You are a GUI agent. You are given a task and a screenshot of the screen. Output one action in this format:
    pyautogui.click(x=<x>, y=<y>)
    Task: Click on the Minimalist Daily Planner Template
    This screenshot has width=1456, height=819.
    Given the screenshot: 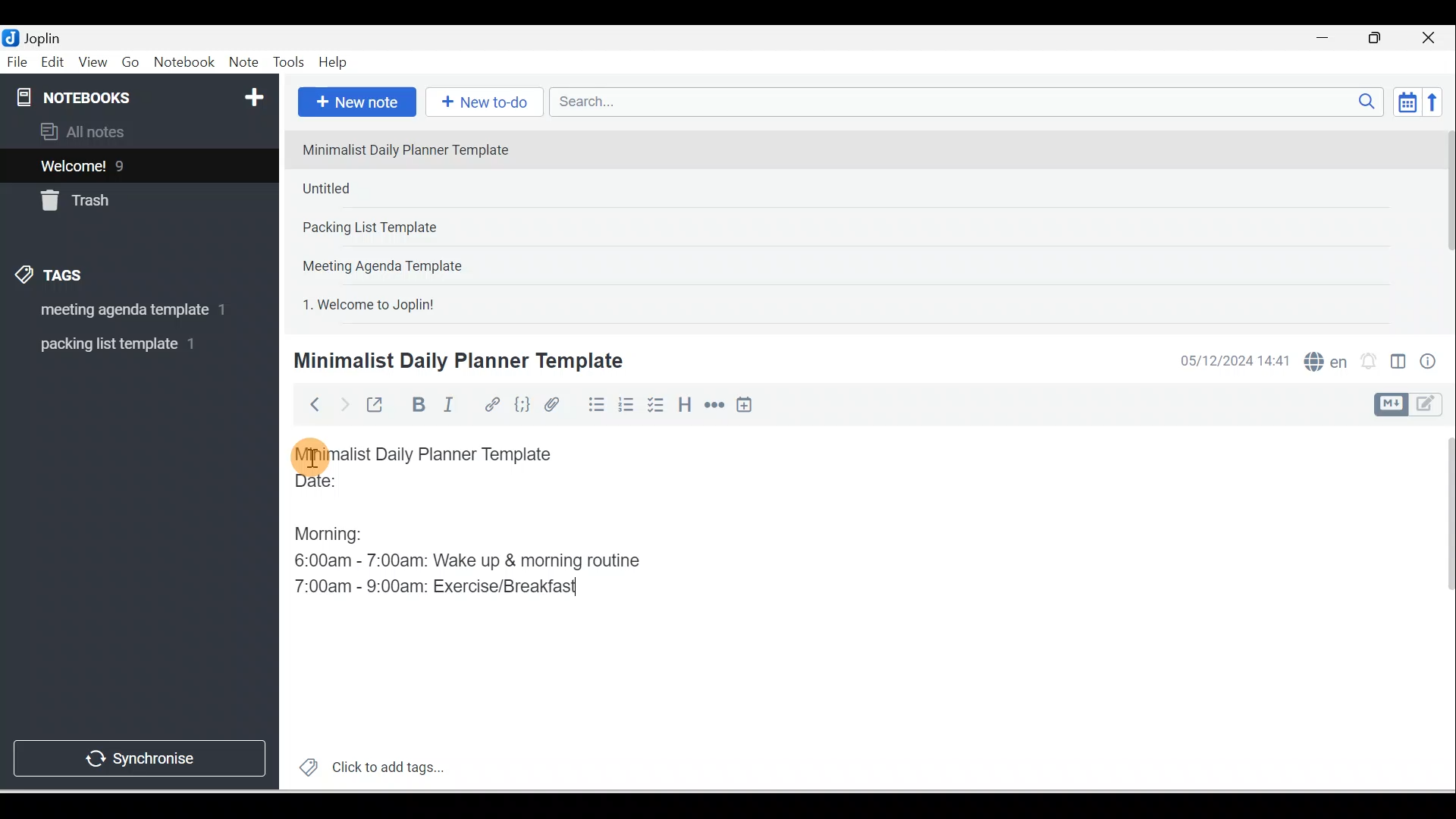 What is the action you would take?
    pyautogui.click(x=456, y=361)
    